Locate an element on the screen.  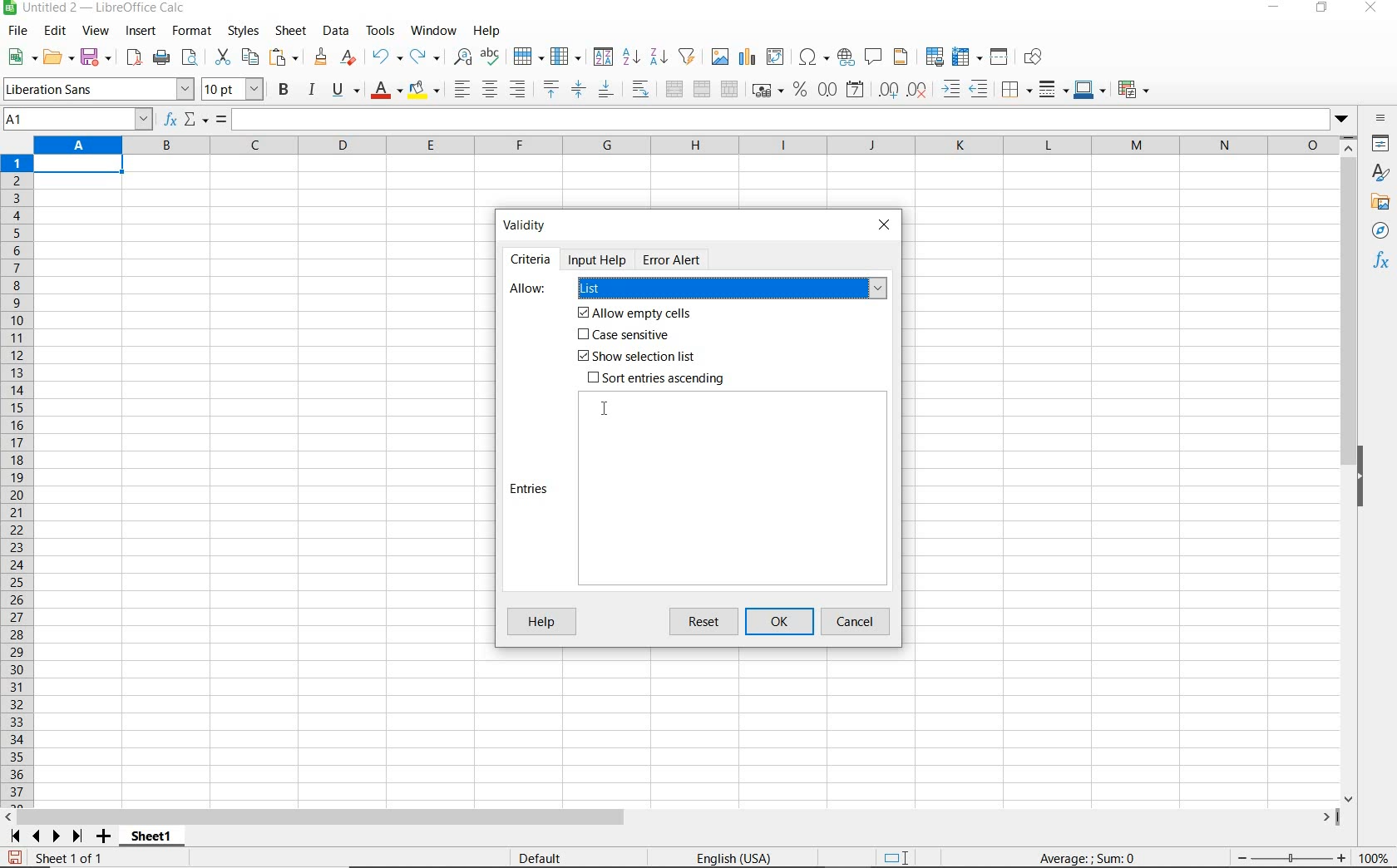
row is located at coordinates (528, 57).